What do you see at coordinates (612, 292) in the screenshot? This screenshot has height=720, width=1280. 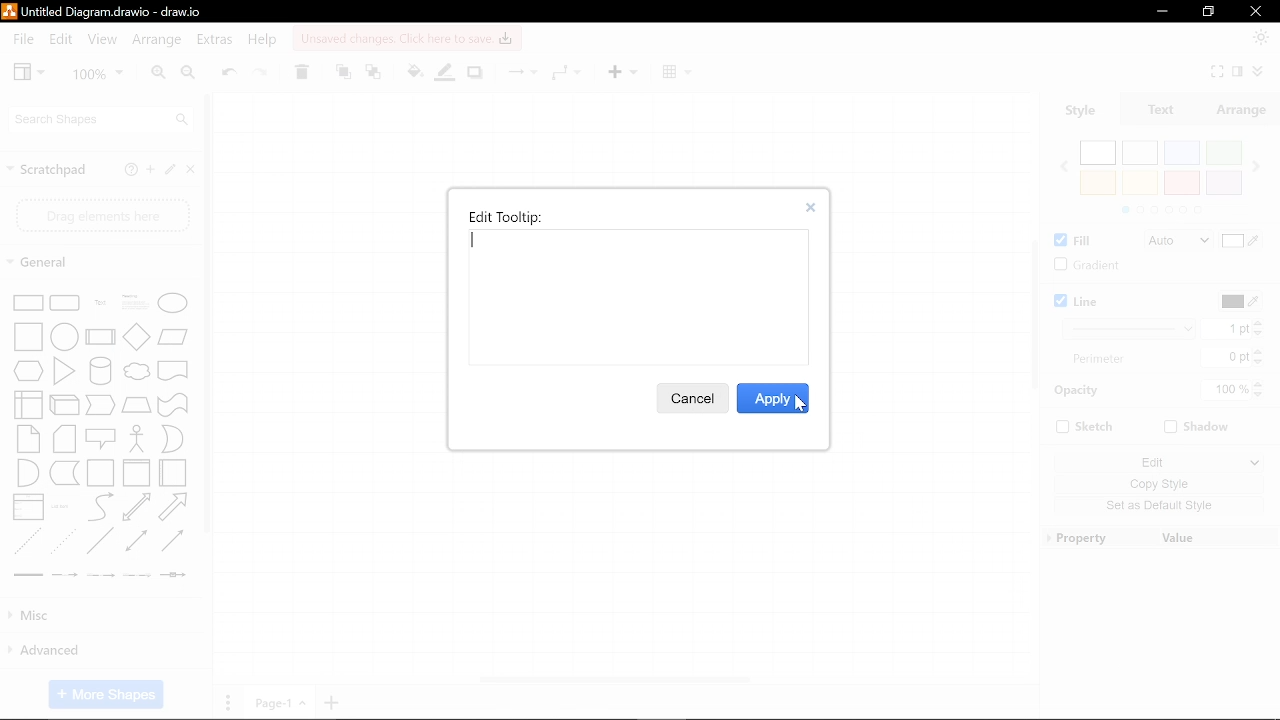 I see `Space for typing` at bounding box center [612, 292].